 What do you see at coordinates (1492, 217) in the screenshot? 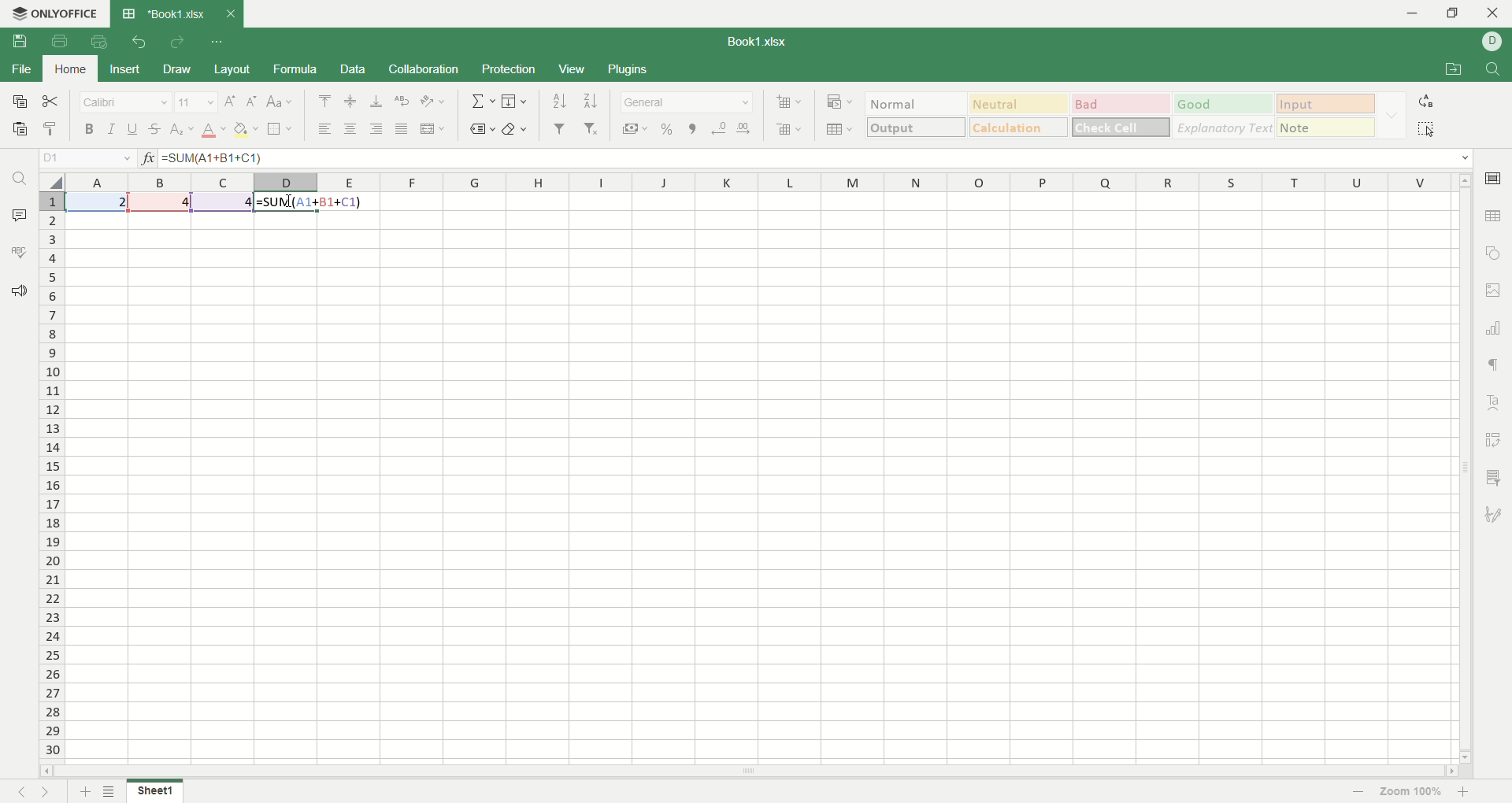
I see `table settings` at bounding box center [1492, 217].